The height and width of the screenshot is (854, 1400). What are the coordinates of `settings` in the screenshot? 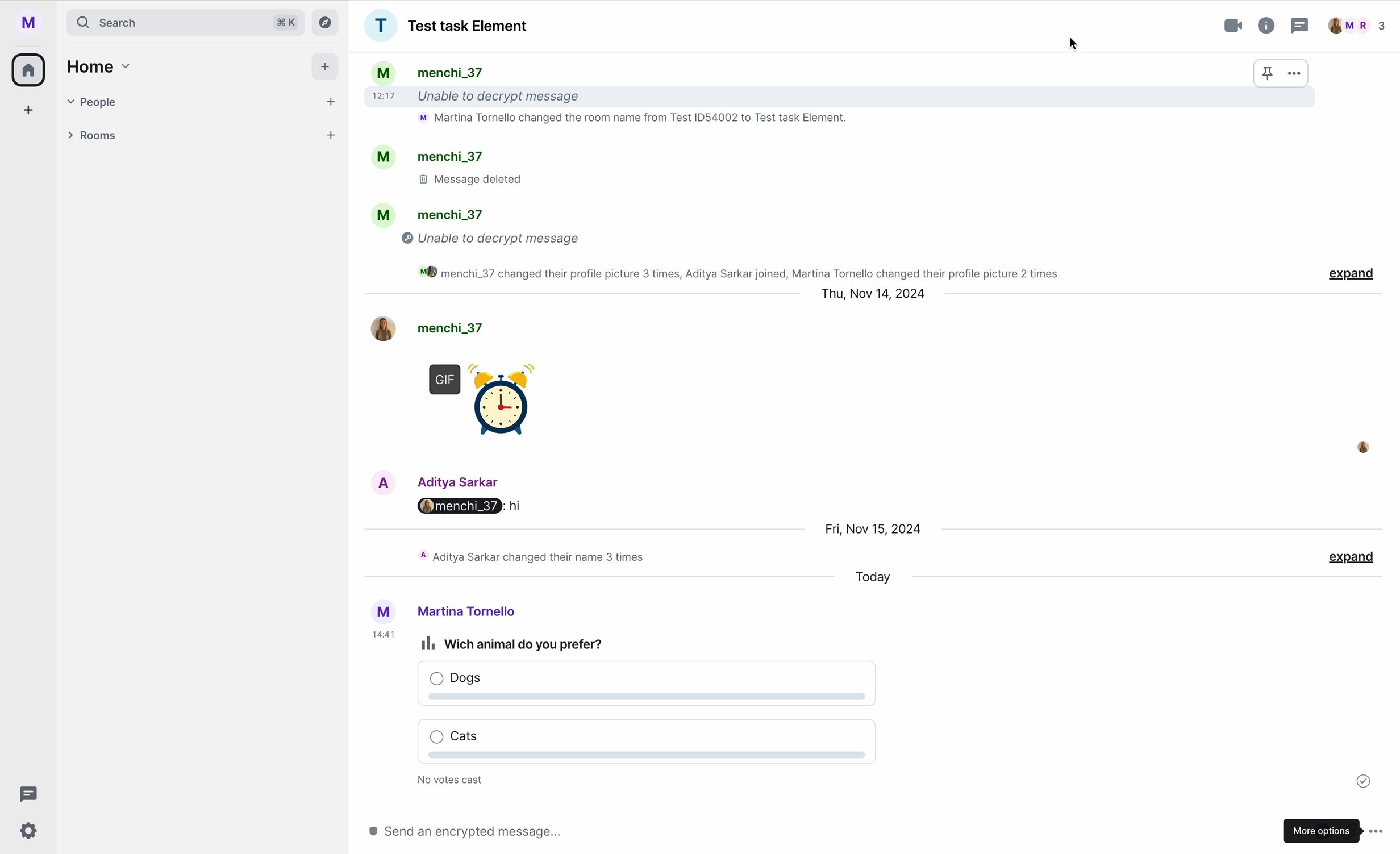 It's located at (30, 832).